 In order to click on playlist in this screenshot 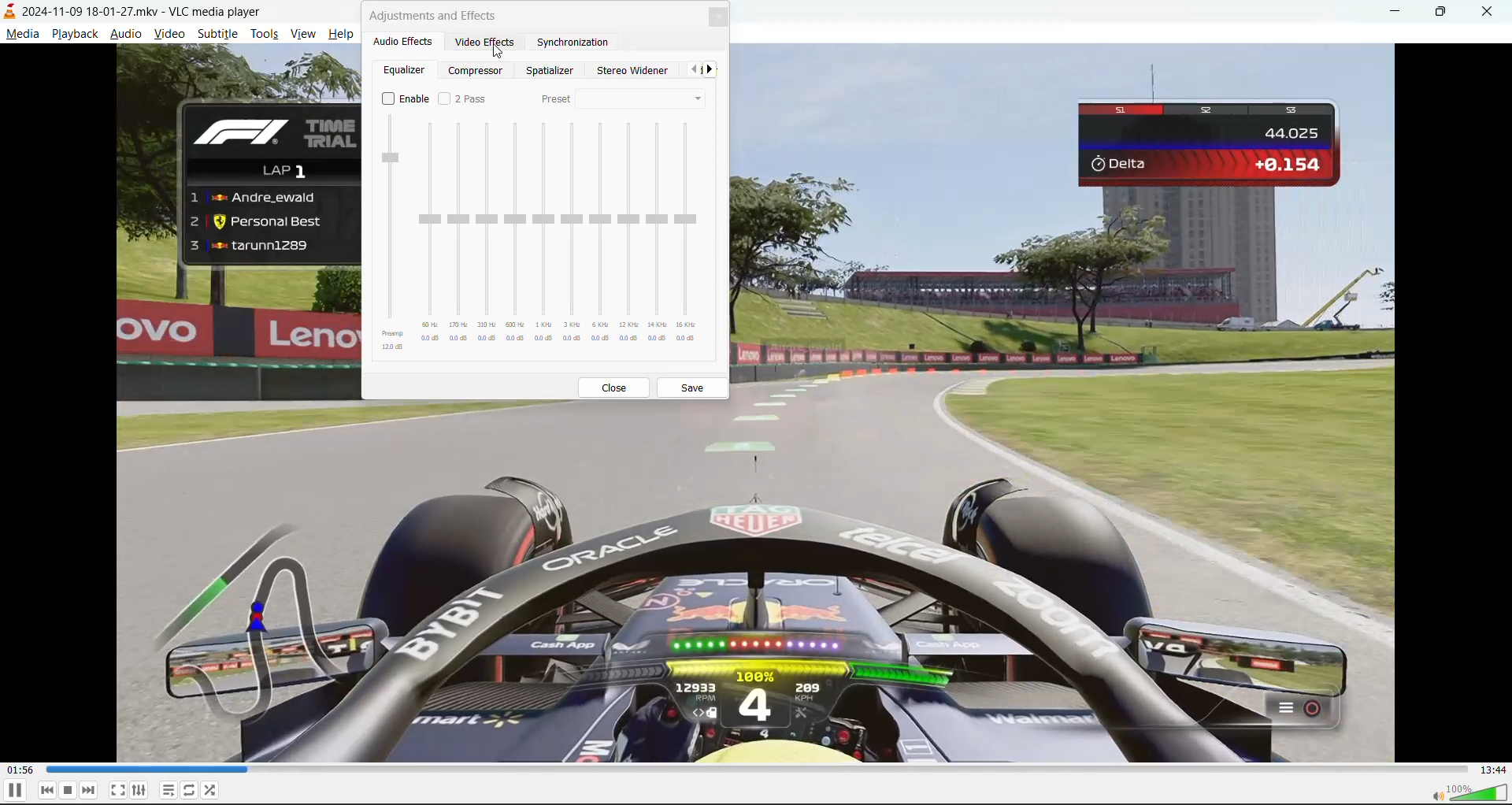, I will do `click(169, 790)`.